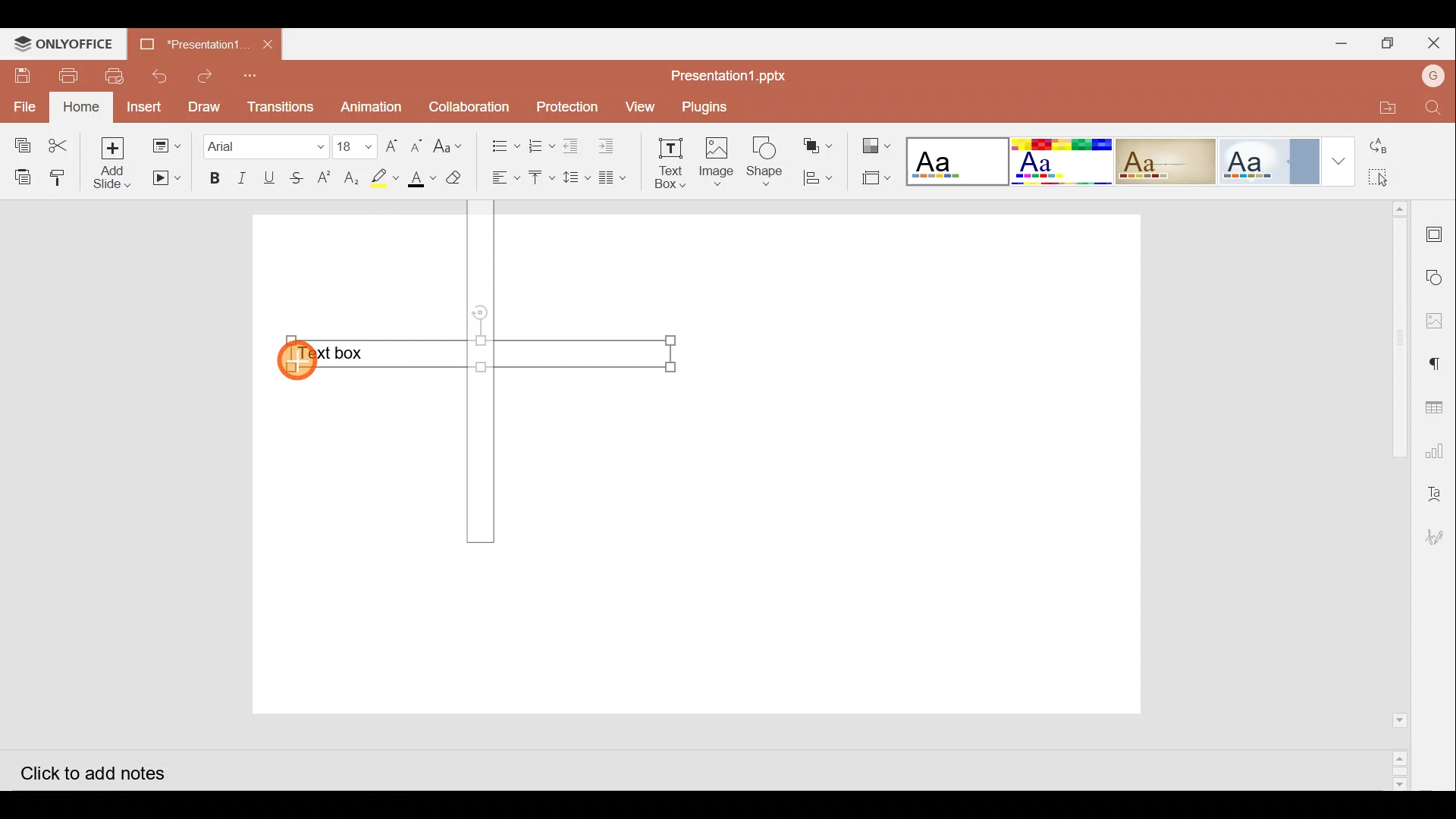  What do you see at coordinates (1379, 106) in the screenshot?
I see `Open file location` at bounding box center [1379, 106].